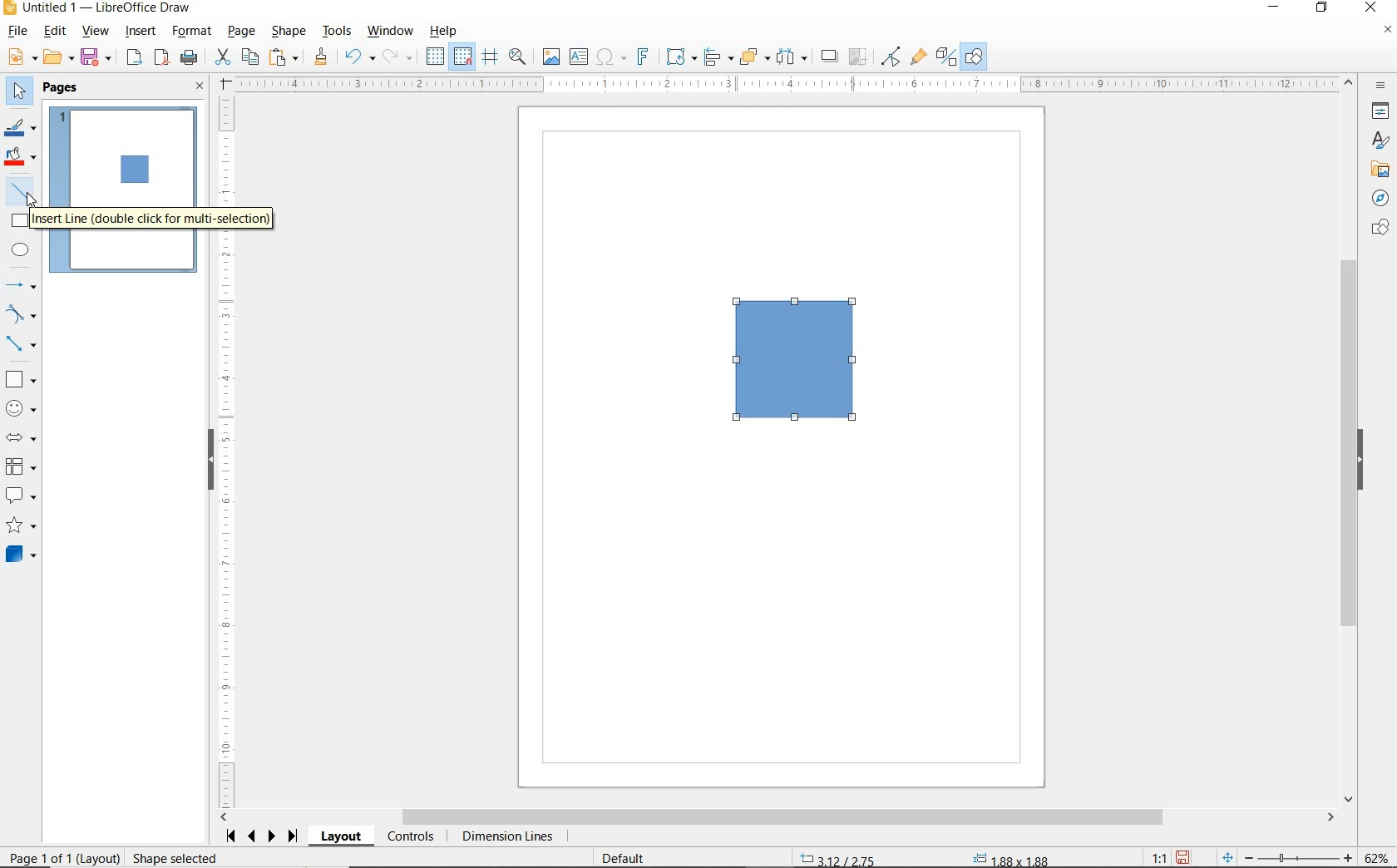 The image size is (1397, 868). I want to click on SHOW DRAW FUNCTIONS, so click(975, 57).